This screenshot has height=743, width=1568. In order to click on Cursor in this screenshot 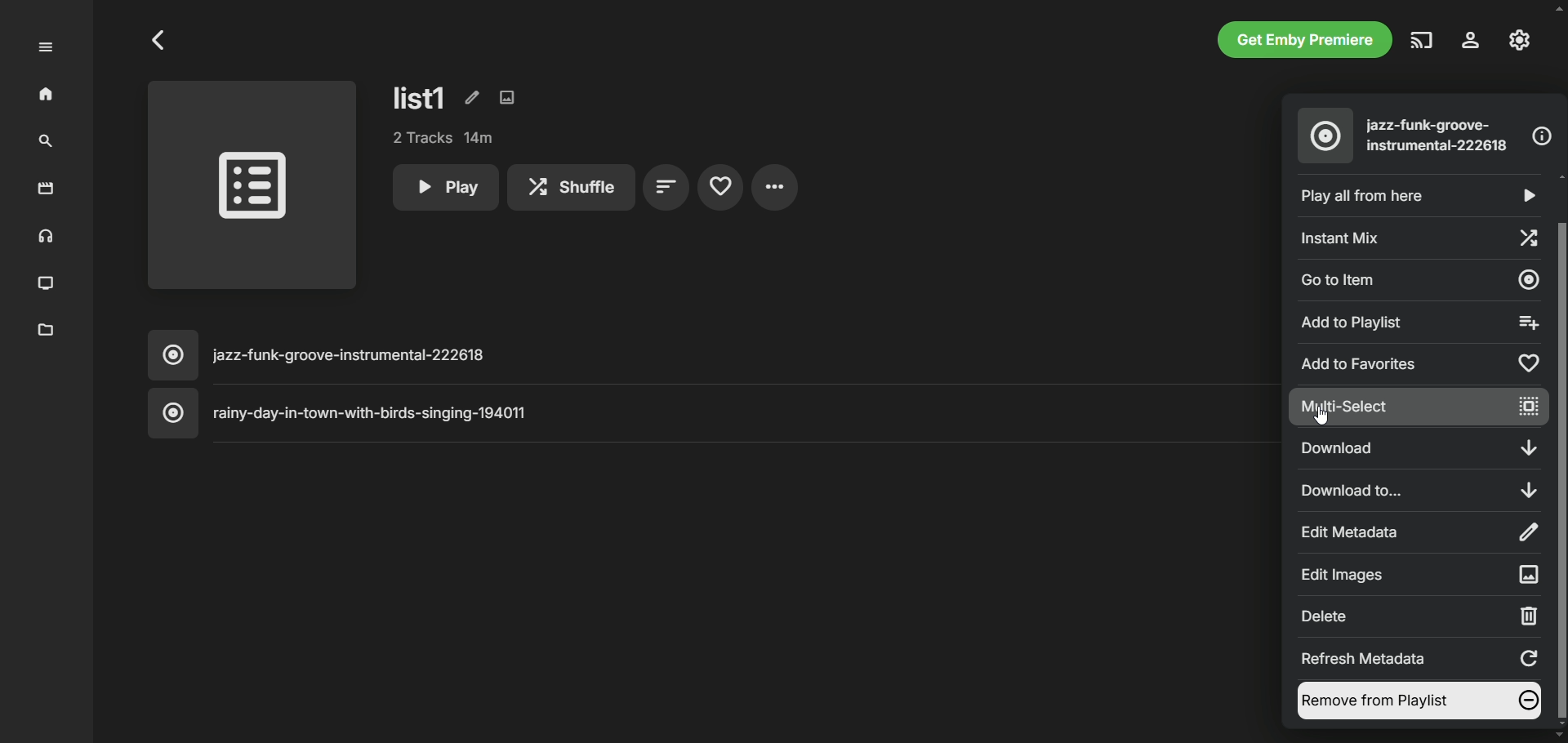, I will do `click(1321, 416)`.